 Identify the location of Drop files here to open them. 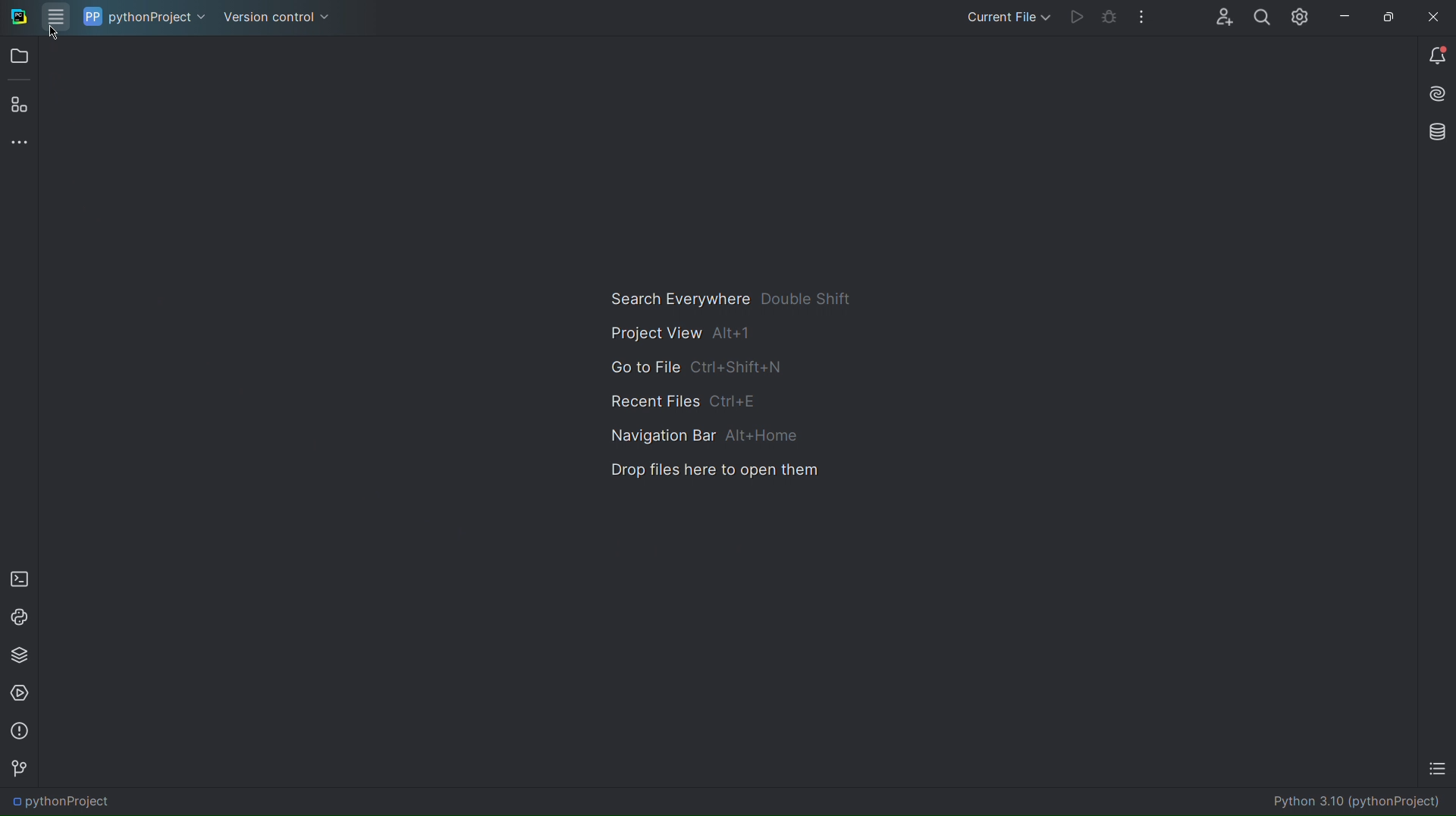
(708, 472).